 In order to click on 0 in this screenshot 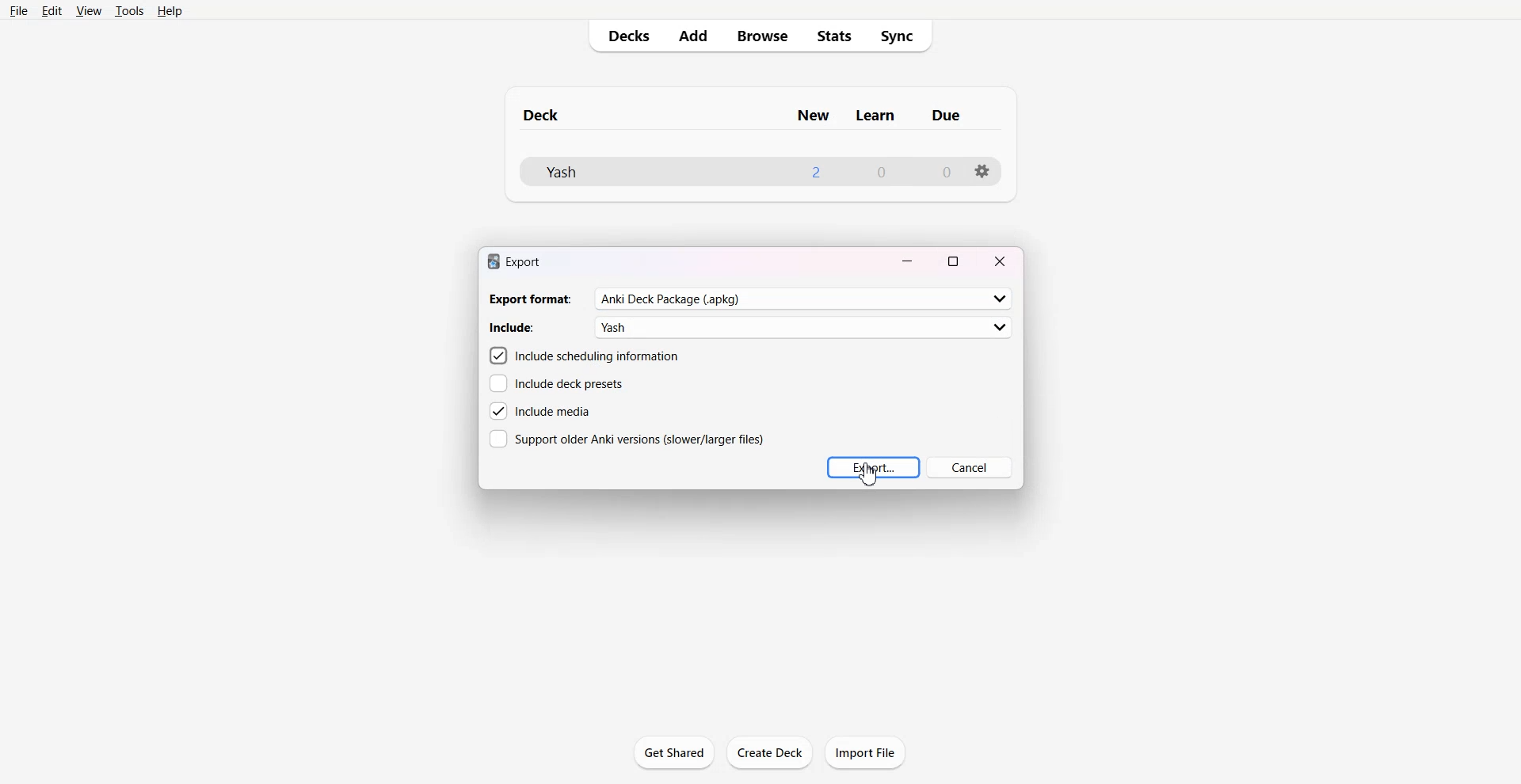, I will do `click(945, 172)`.